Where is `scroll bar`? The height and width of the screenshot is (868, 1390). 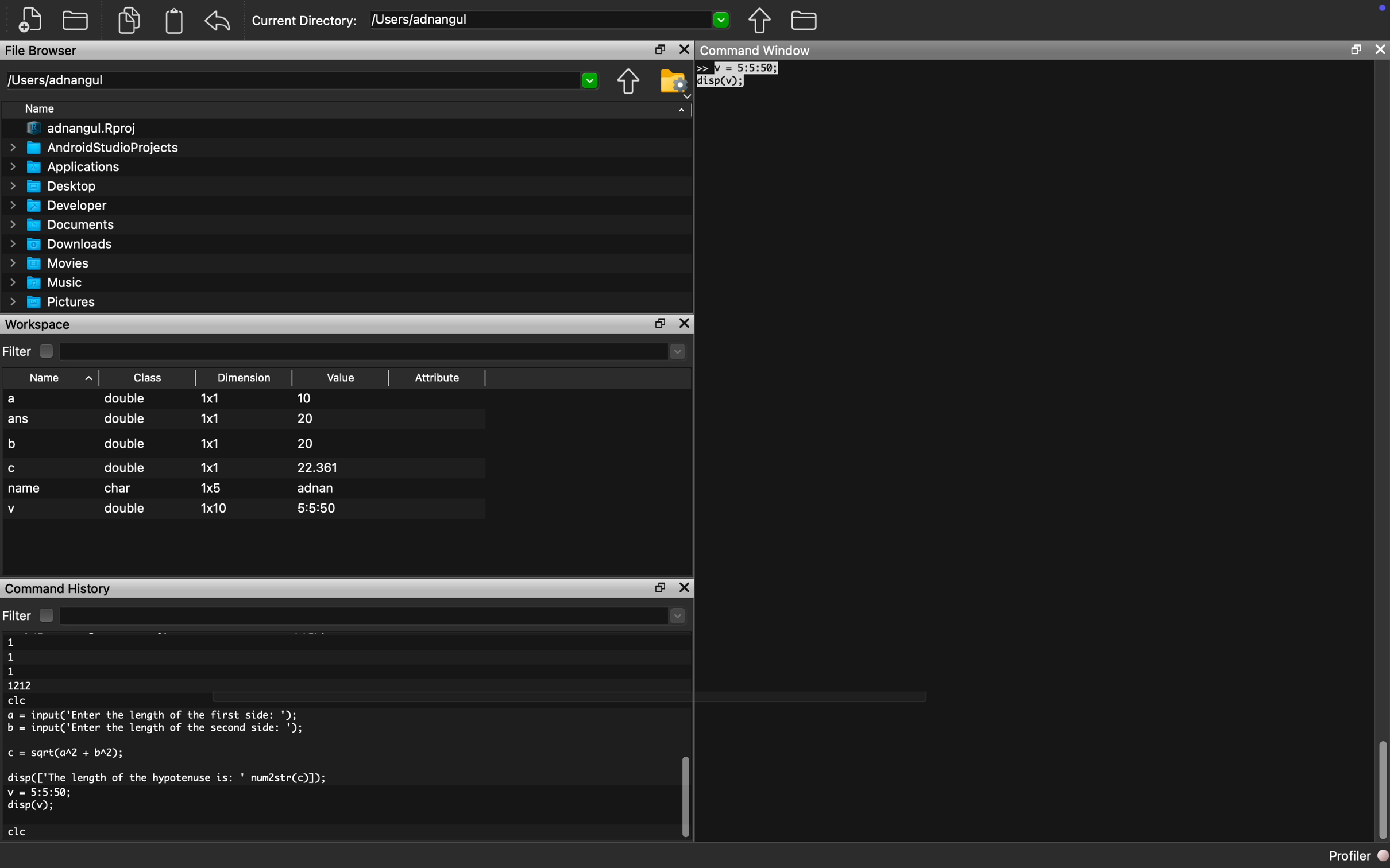
scroll bar is located at coordinates (686, 797).